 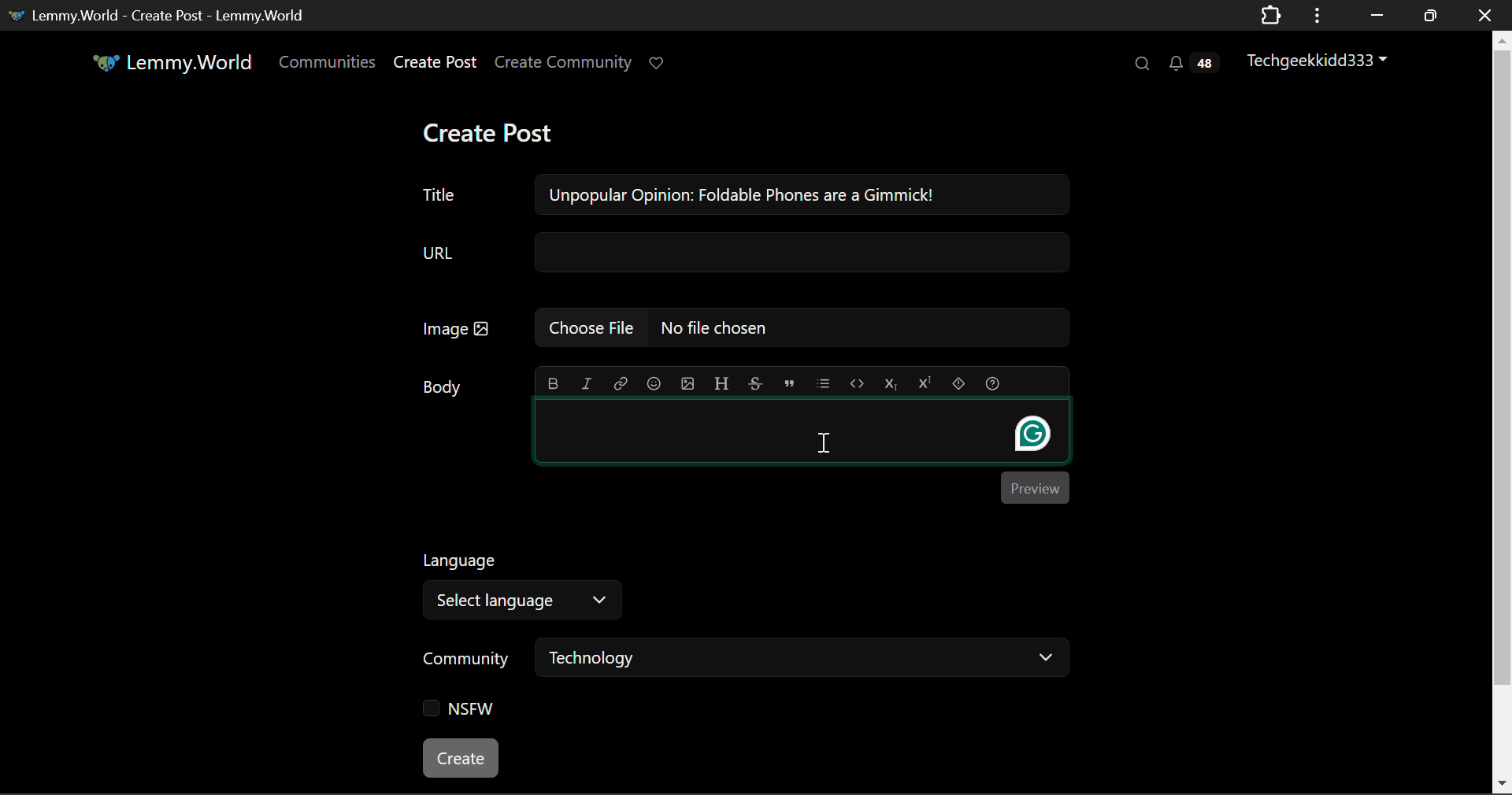 I want to click on italic, so click(x=587, y=383).